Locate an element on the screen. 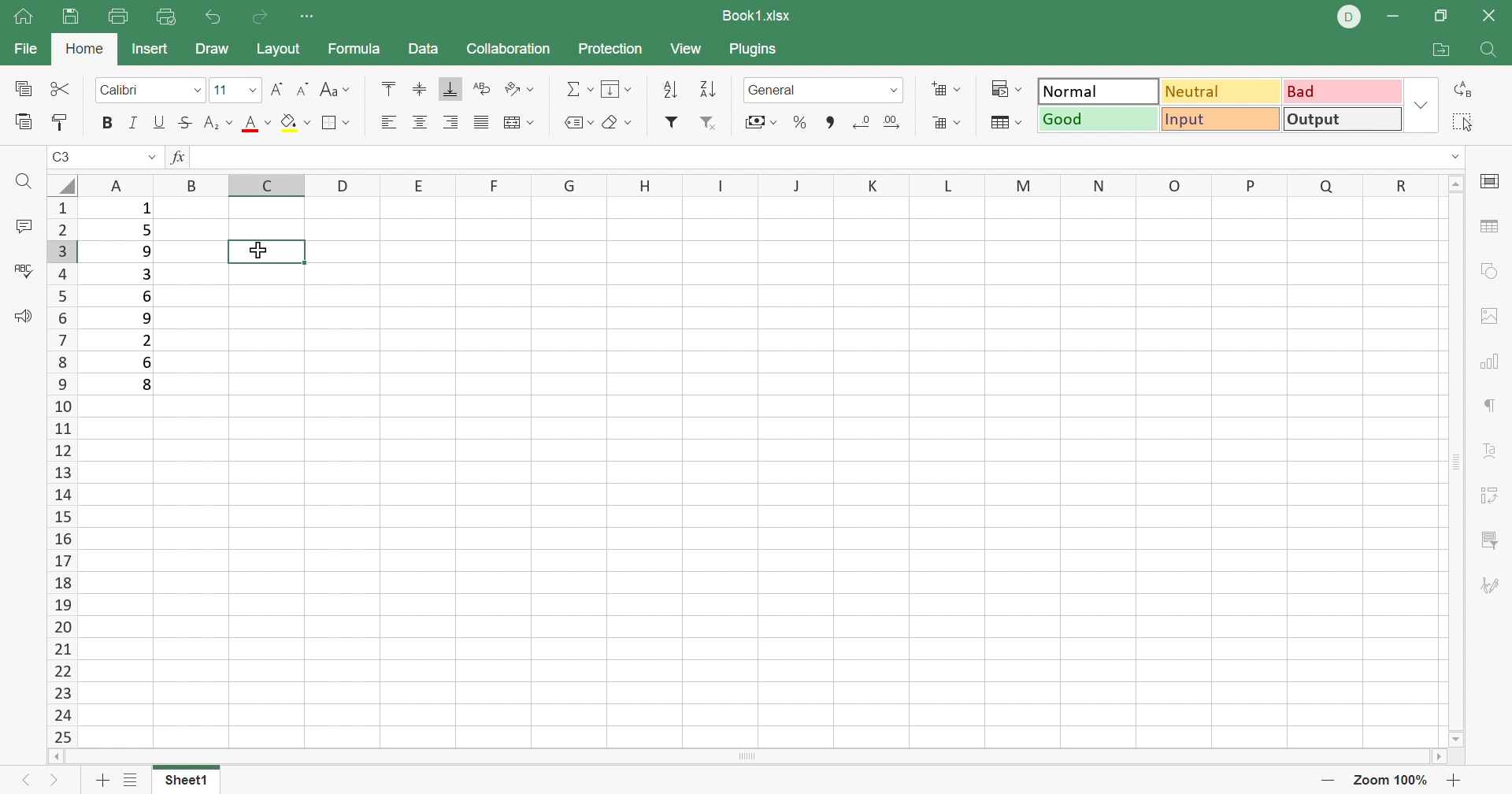 The image size is (1512, 794). cursor is located at coordinates (258, 248).